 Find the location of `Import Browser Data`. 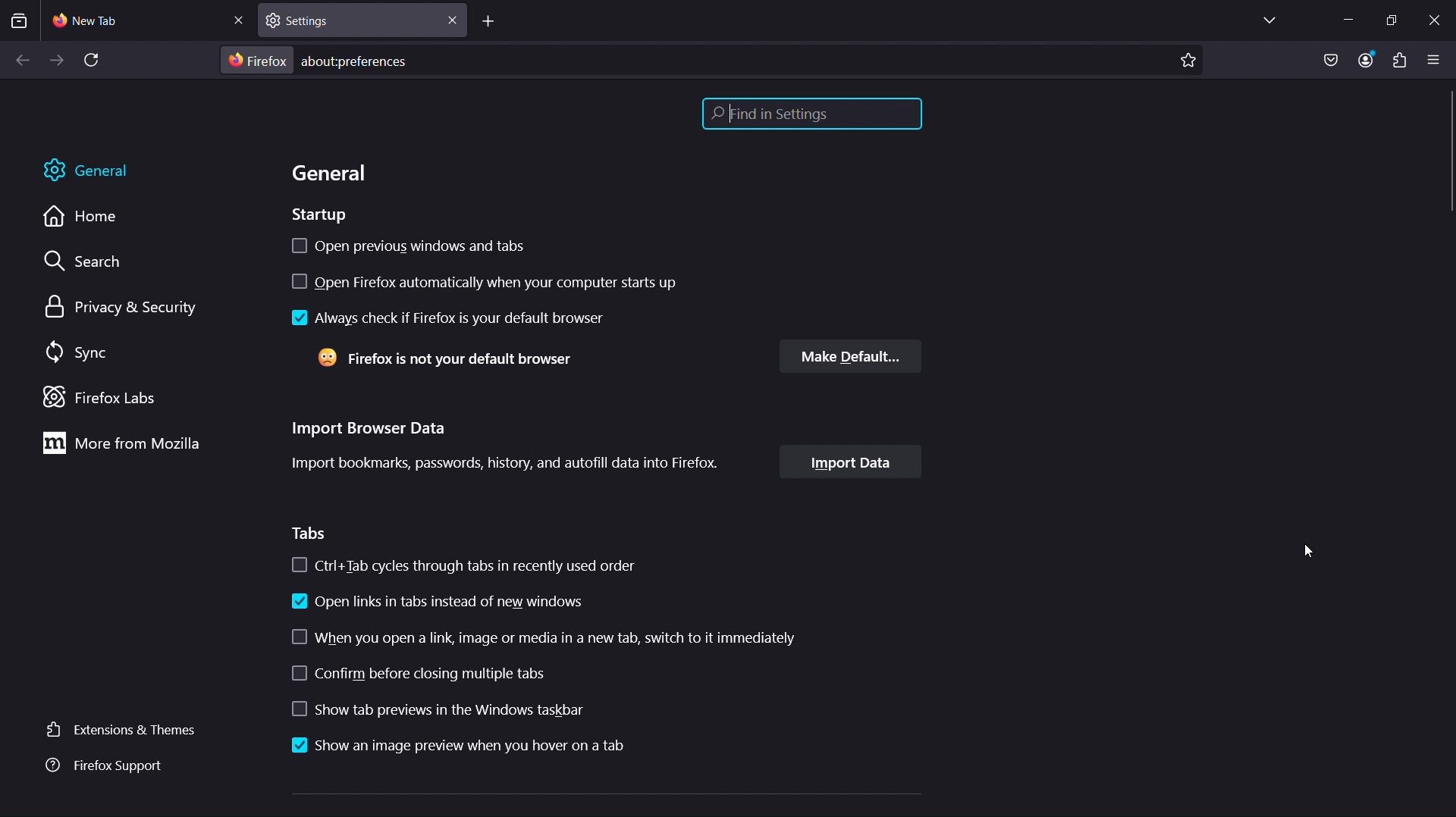

Import Browser Data is located at coordinates (372, 429).